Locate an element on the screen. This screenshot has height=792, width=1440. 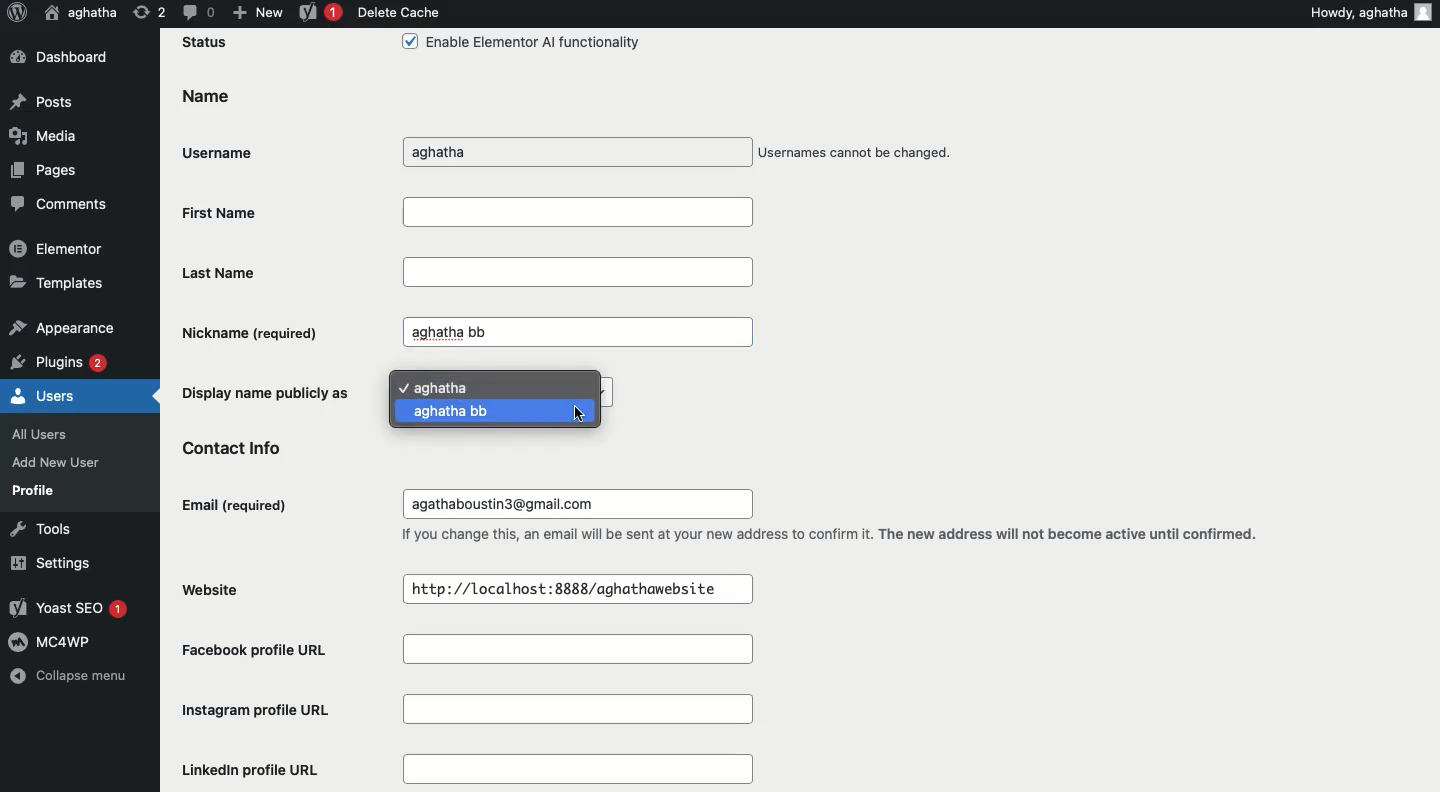
Contact info is located at coordinates (244, 446).